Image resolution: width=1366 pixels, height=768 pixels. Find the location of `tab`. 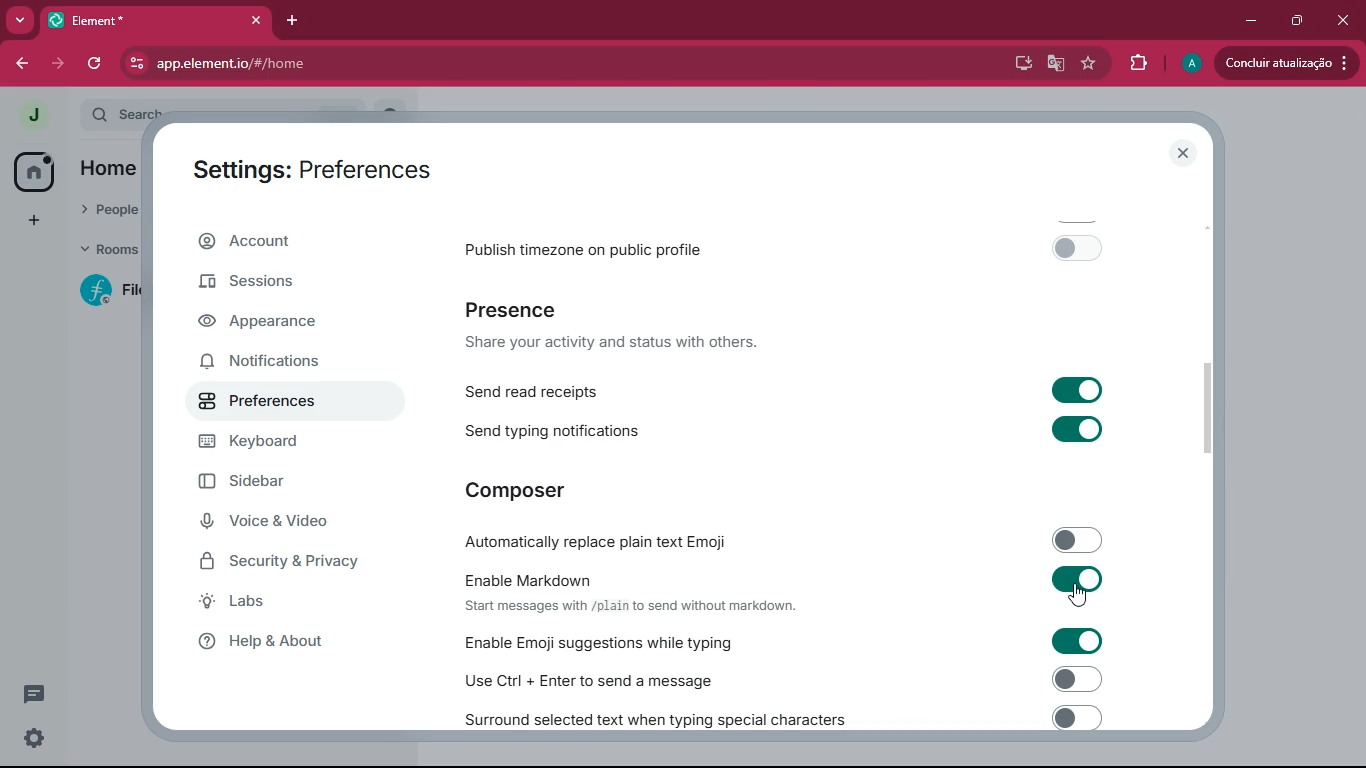

tab is located at coordinates (157, 20).